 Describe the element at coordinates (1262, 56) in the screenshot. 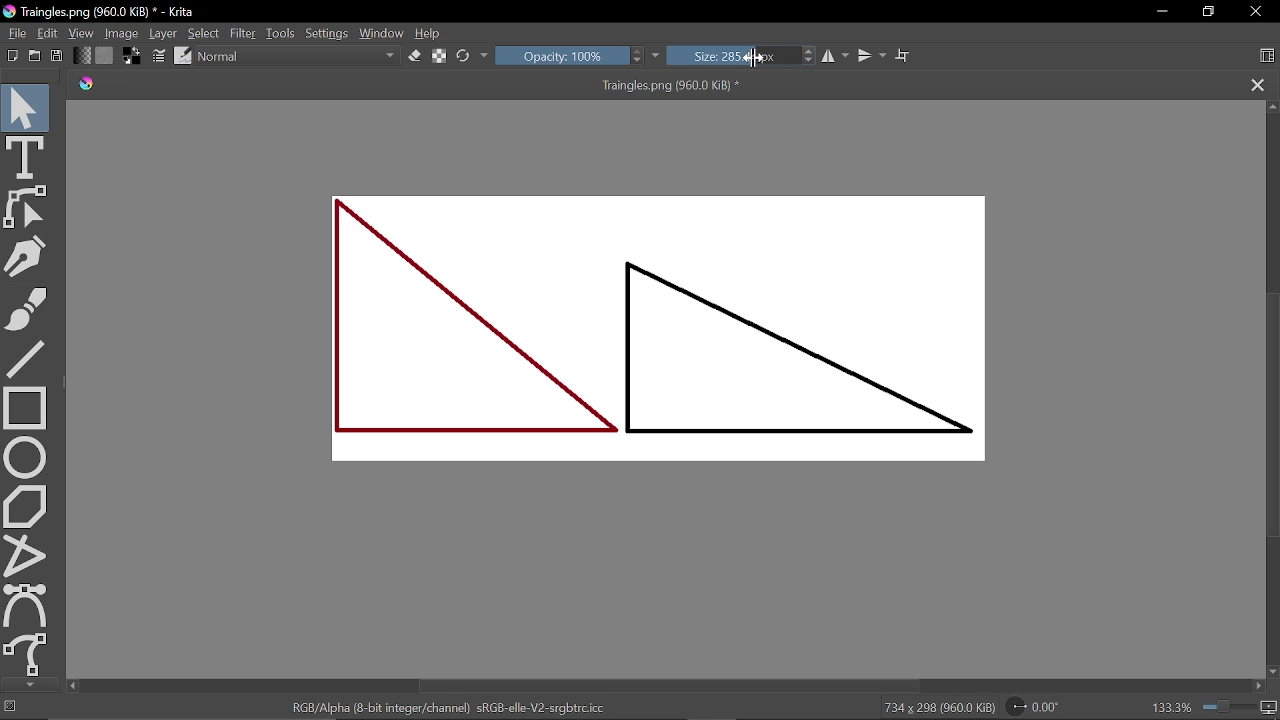

I see `Choose workspace` at that location.